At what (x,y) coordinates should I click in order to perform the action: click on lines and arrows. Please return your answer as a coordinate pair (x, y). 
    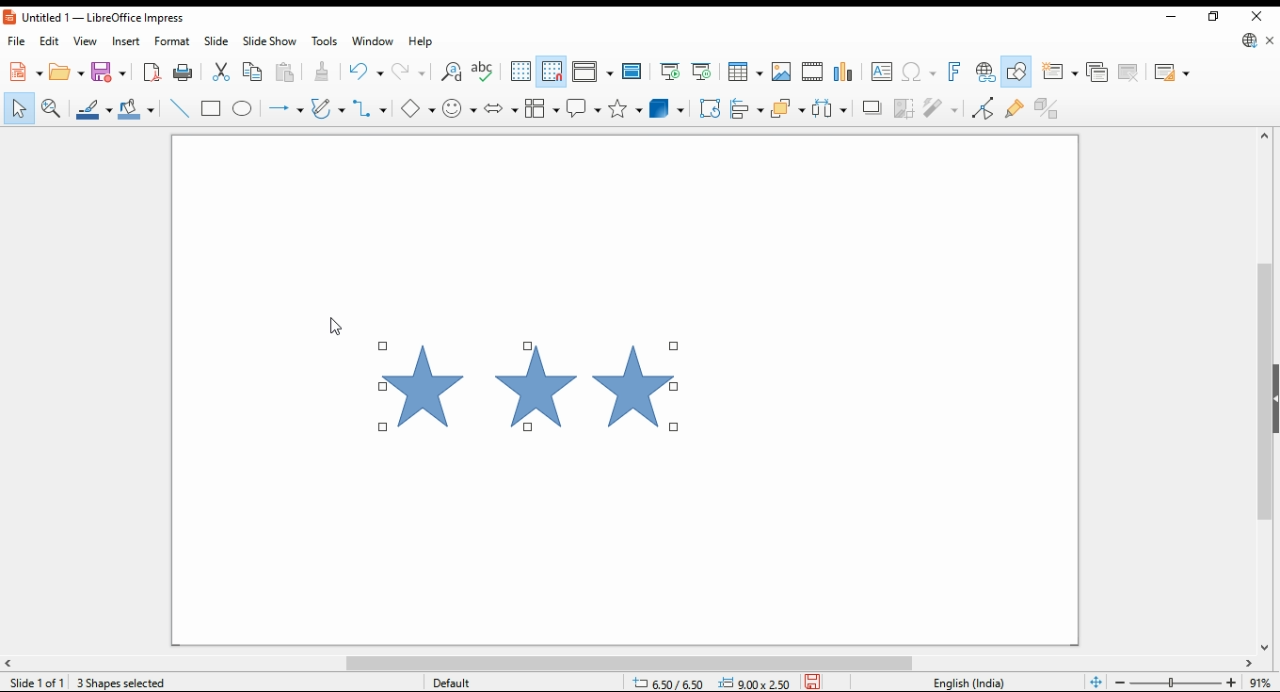
    Looking at the image, I should click on (286, 108).